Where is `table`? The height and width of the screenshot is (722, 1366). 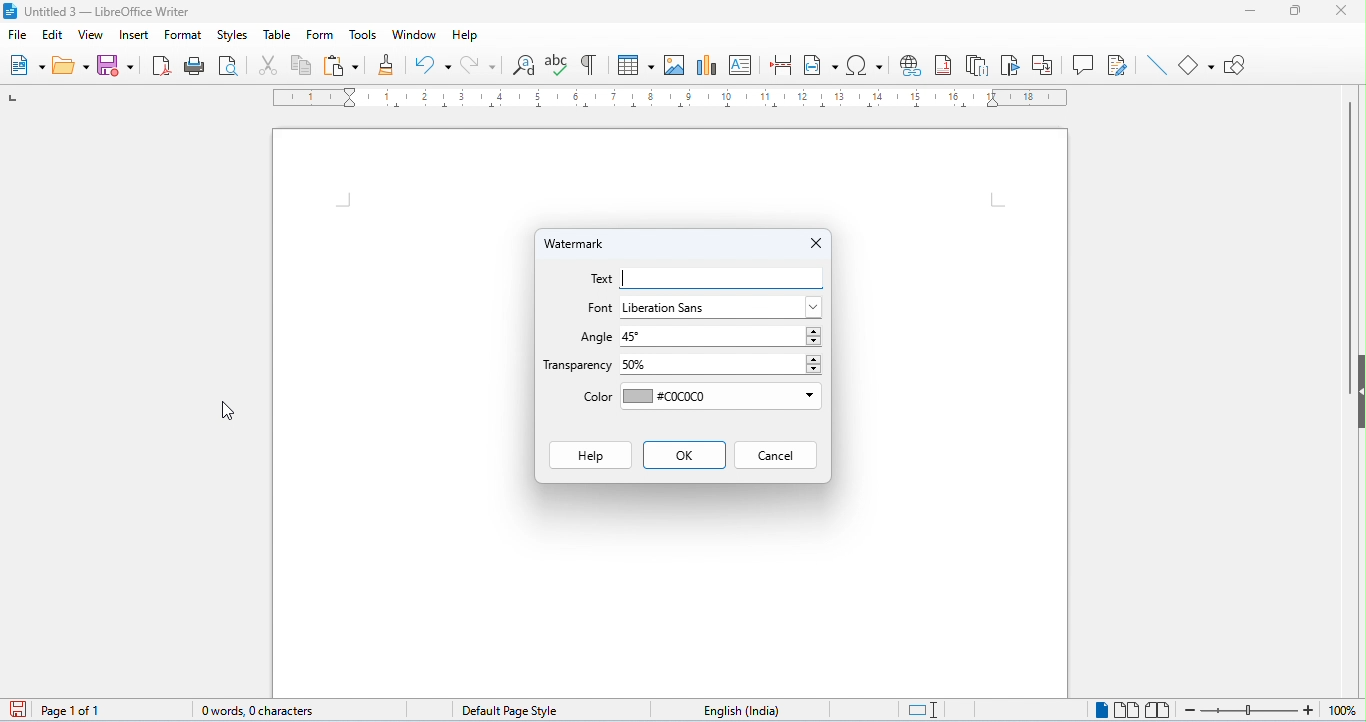 table is located at coordinates (279, 35).